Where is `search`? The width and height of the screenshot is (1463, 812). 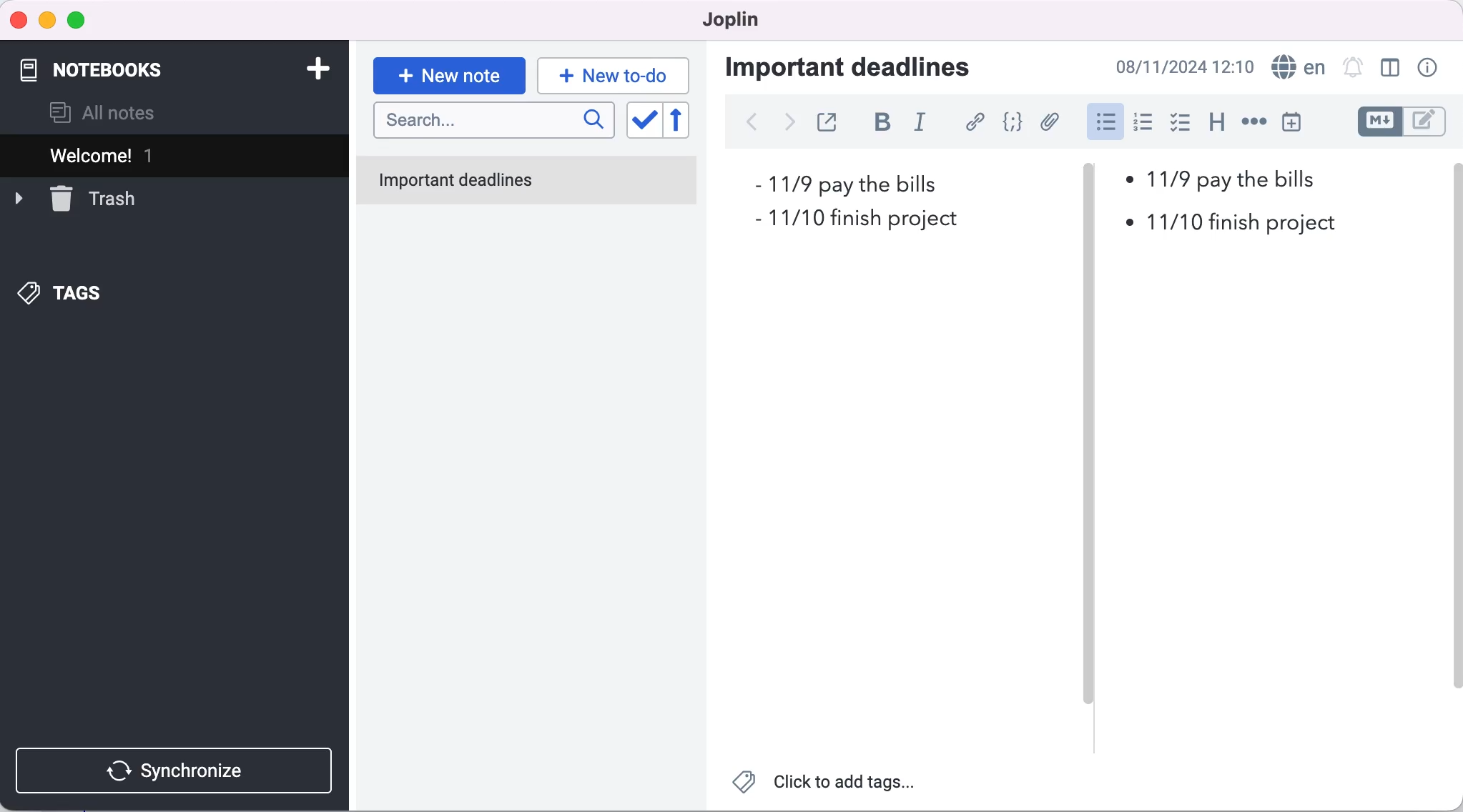 search is located at coordinates (493, 122).